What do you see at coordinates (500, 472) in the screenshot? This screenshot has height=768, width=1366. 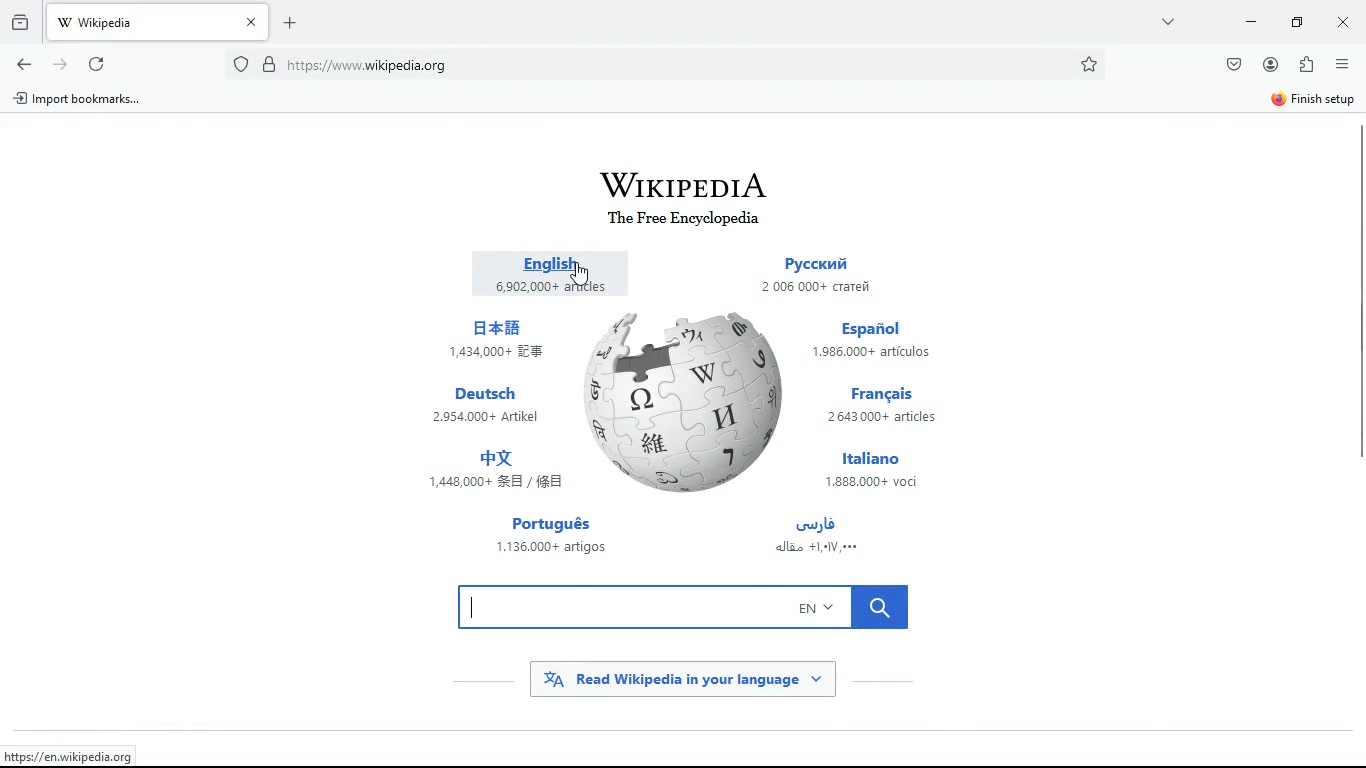 I see `japanese` at bounding box center [500, 472].